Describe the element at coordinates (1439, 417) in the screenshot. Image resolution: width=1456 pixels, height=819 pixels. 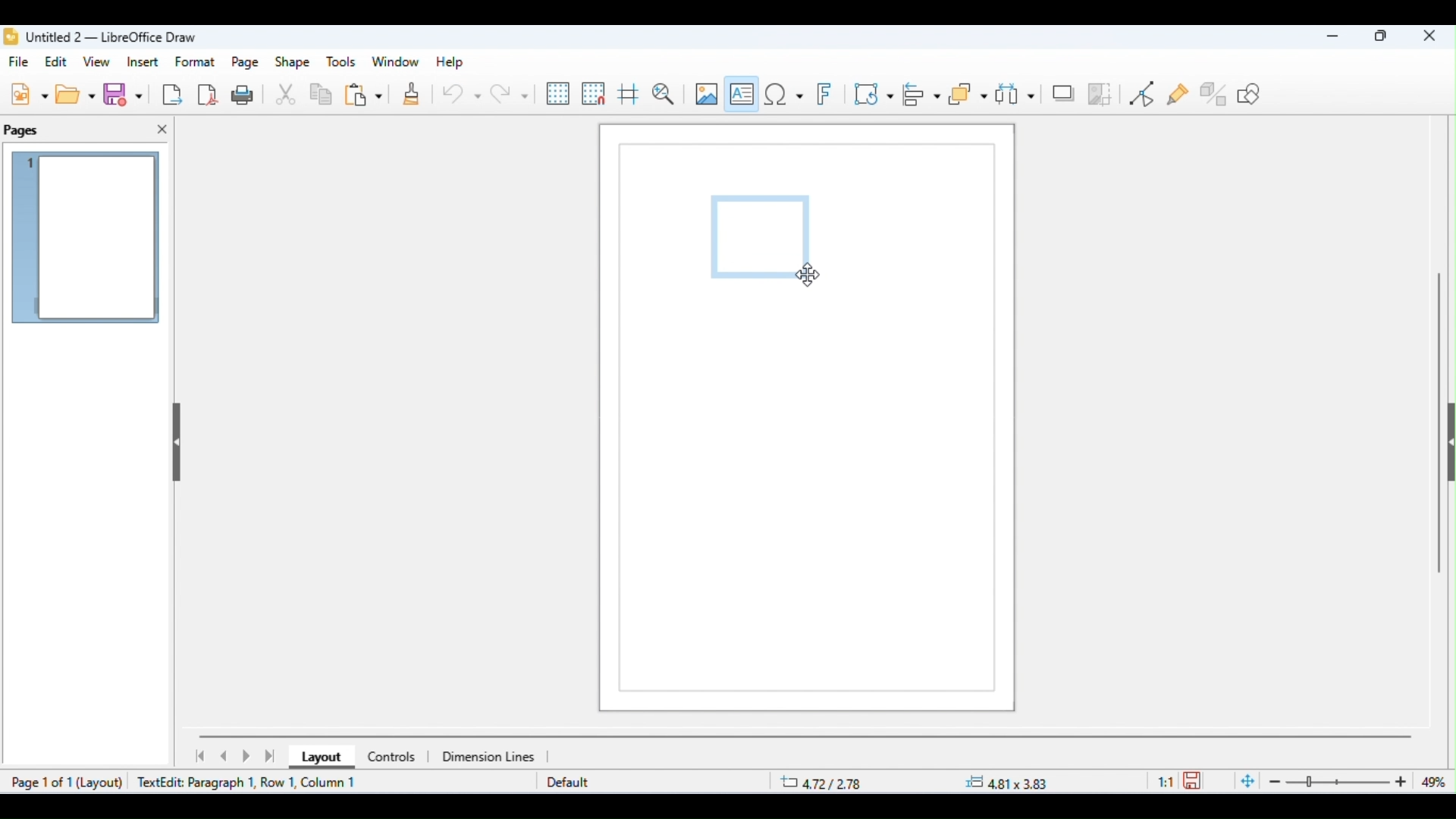
I see `vertical scroll bar` at that location.